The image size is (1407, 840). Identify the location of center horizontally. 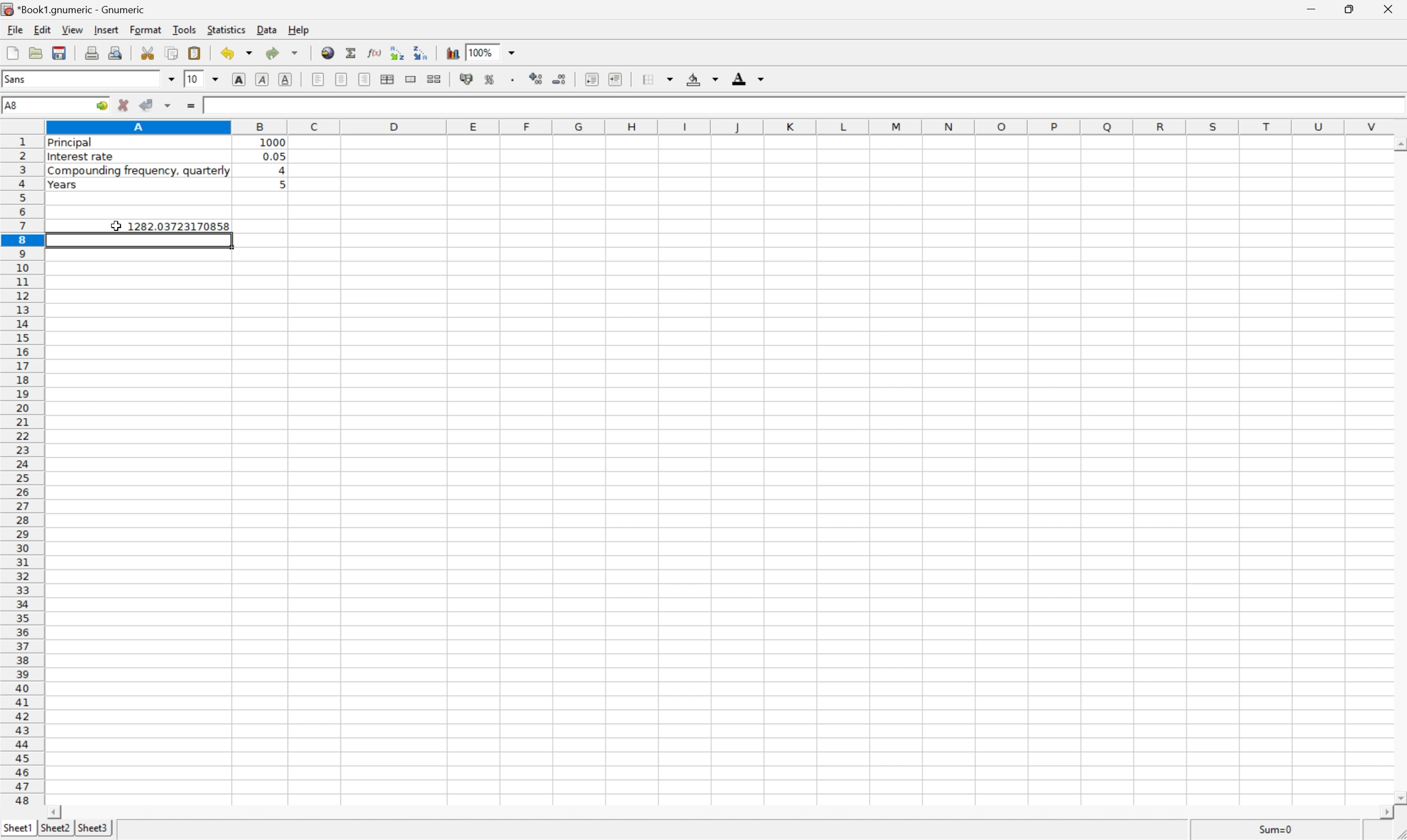
(389, 79).